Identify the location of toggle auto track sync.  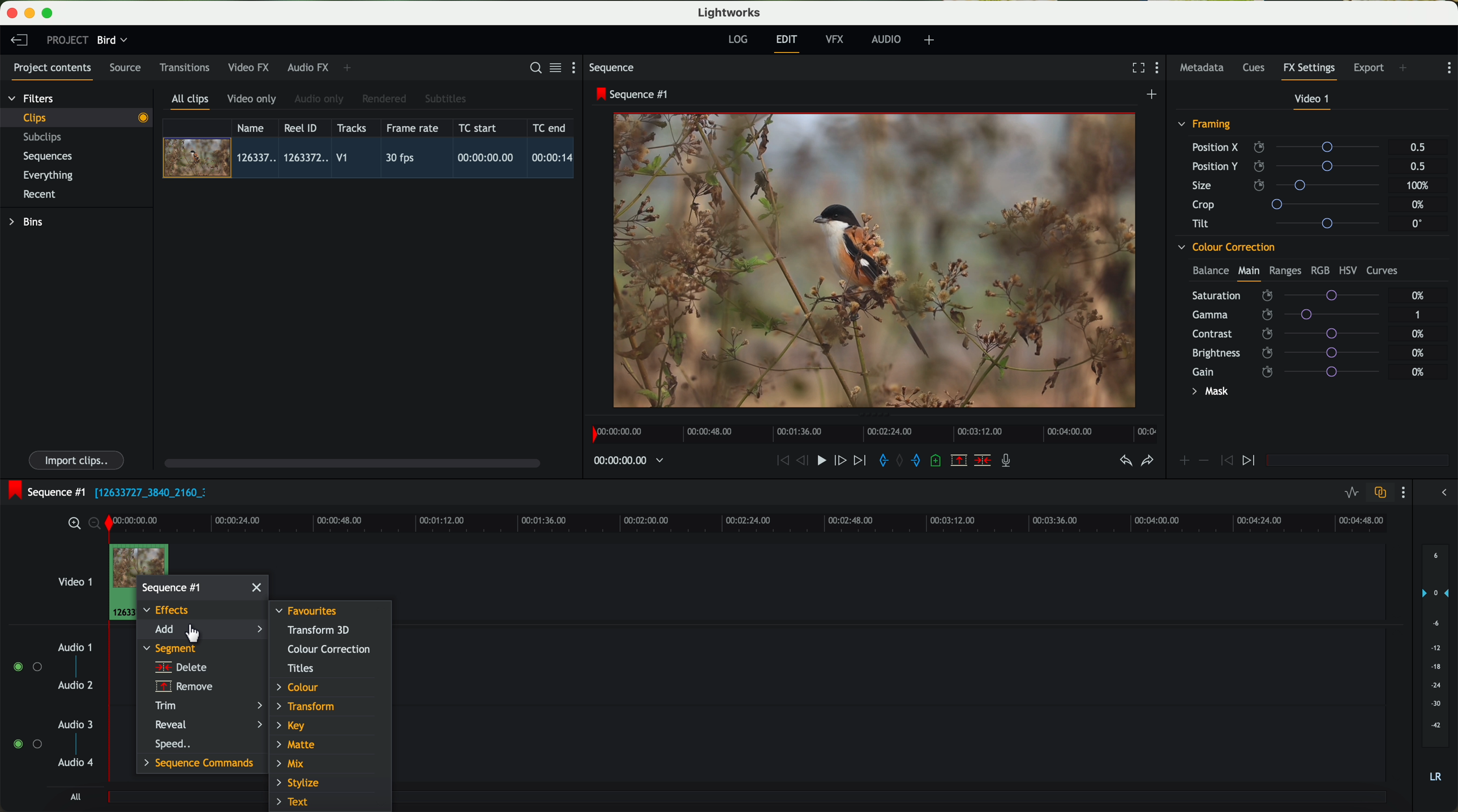
(1378, 493).